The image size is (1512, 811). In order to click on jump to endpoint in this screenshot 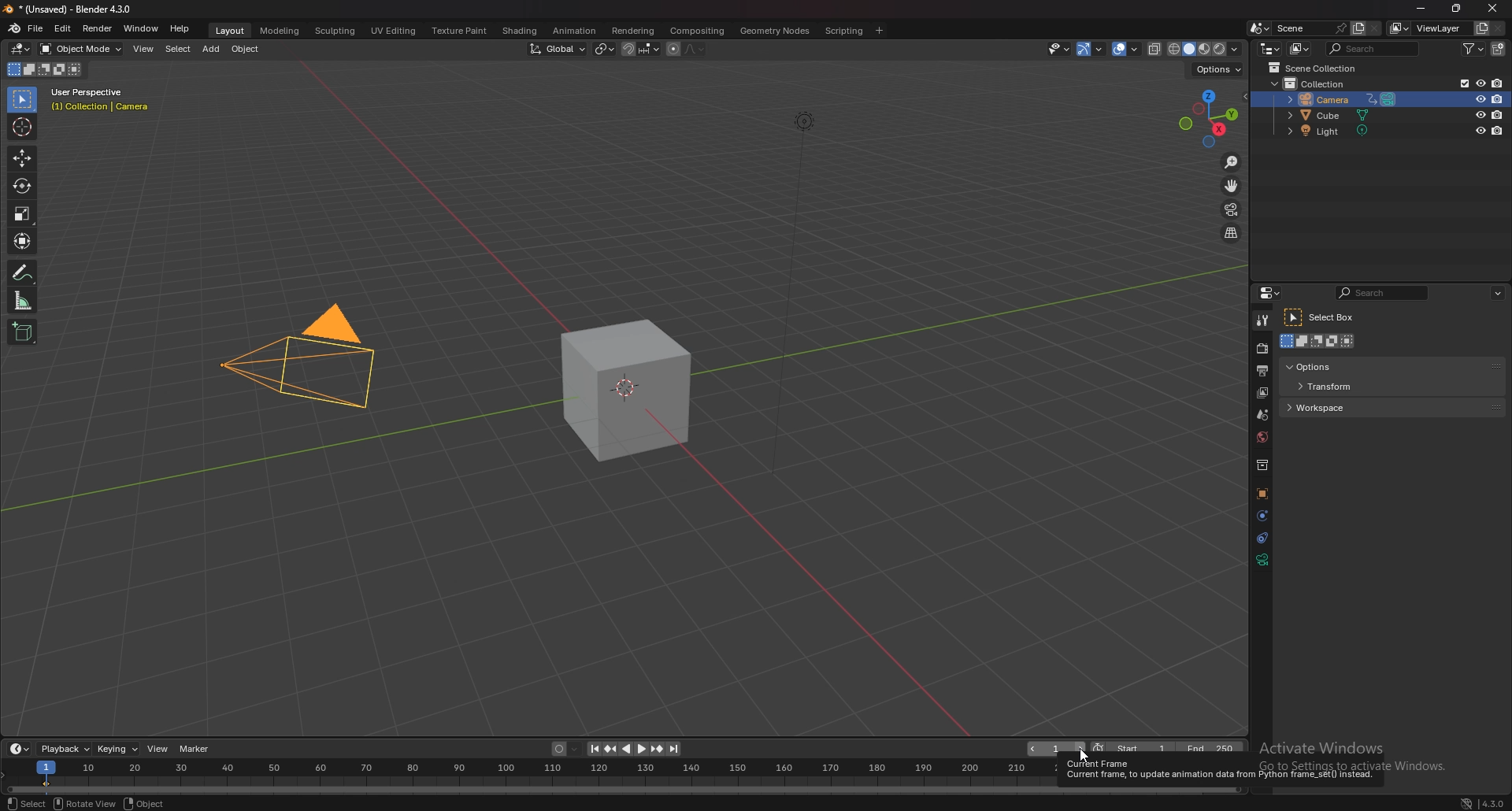, I will do `click(675, 749)`.